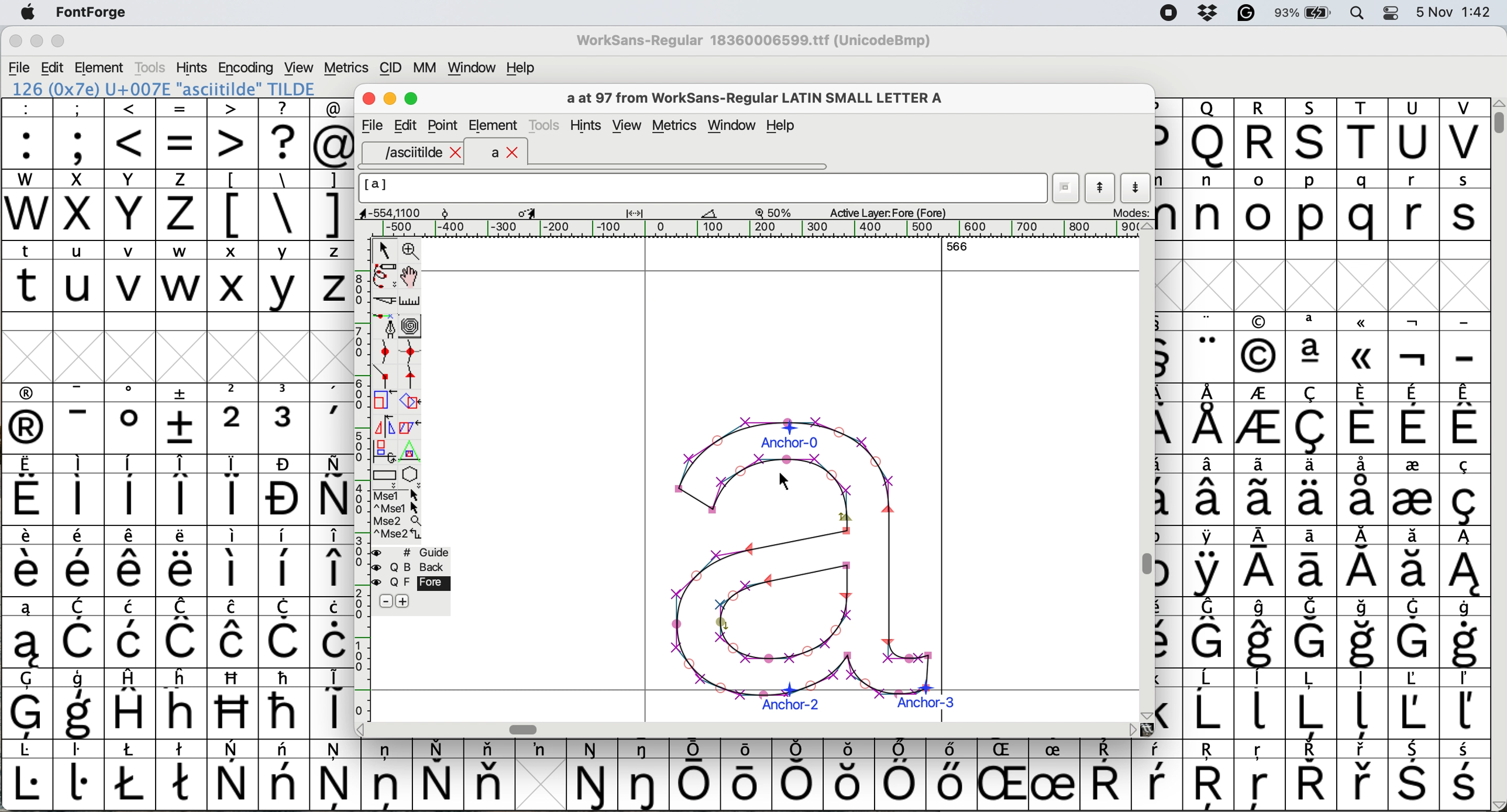 The width and height of the screenshot is (1507, 812). What do you see at coordinates (95, 13) in the screenshot?
I see `fontforge` at bounding box center [95, 13].